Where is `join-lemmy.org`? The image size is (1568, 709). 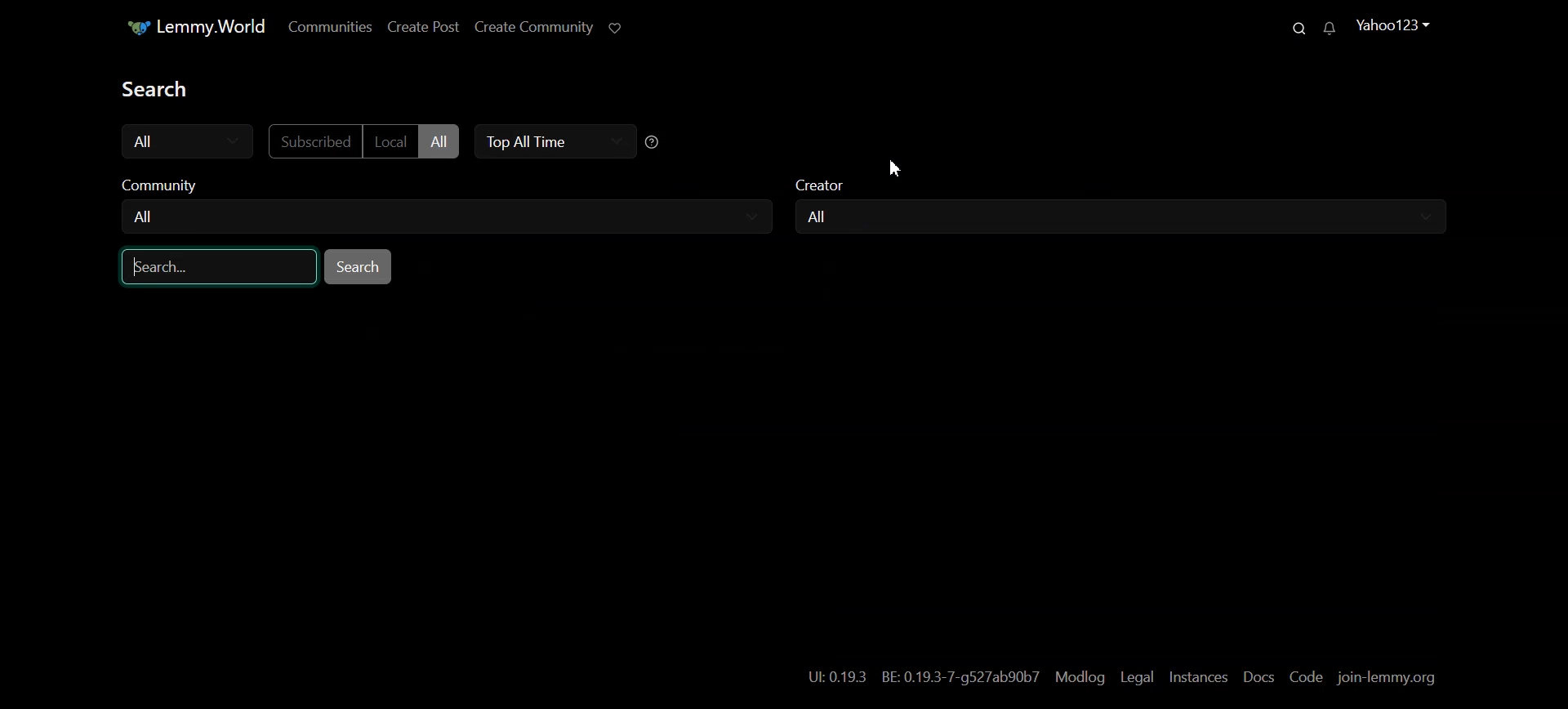 join-lemmy.org is located at coordinates (1386, 679).